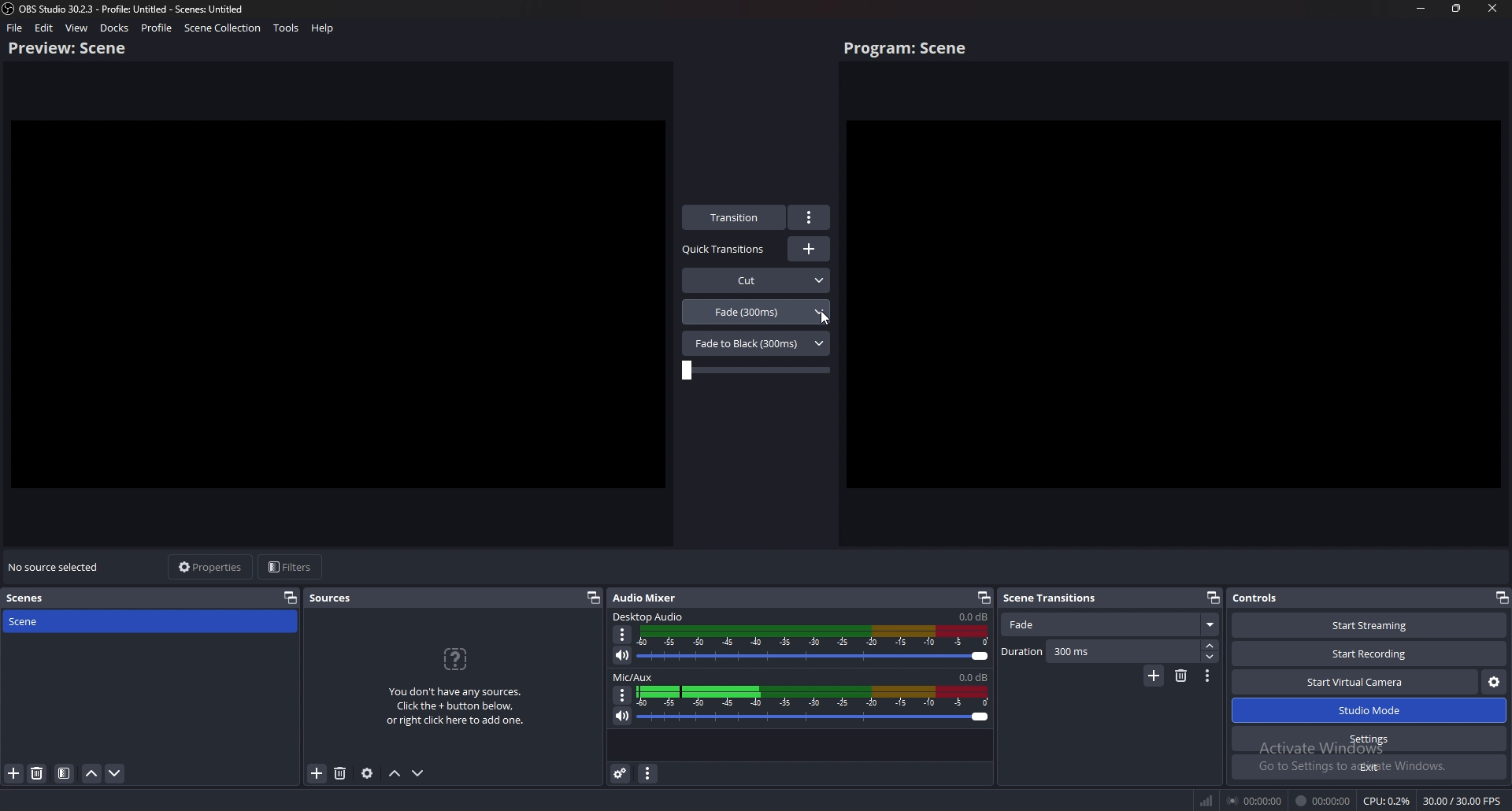  Describe the element at coordinates (1369, 767) in the screenshot. I see `Exit` at that location.